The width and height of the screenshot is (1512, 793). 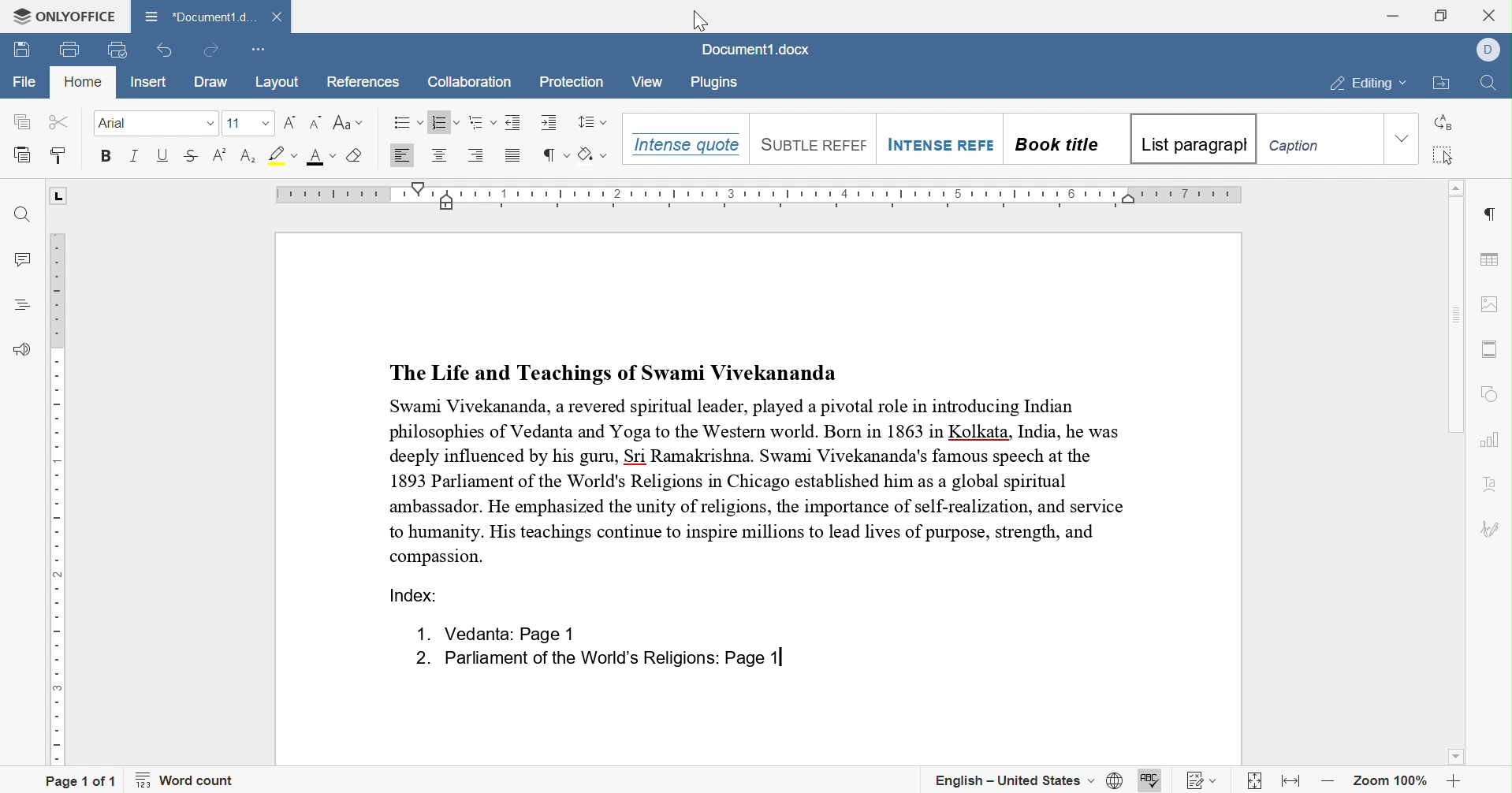 What do you see at coordinates (408, 122) in the screenshot?
I see `bullets` at bounding box center [408, 122].